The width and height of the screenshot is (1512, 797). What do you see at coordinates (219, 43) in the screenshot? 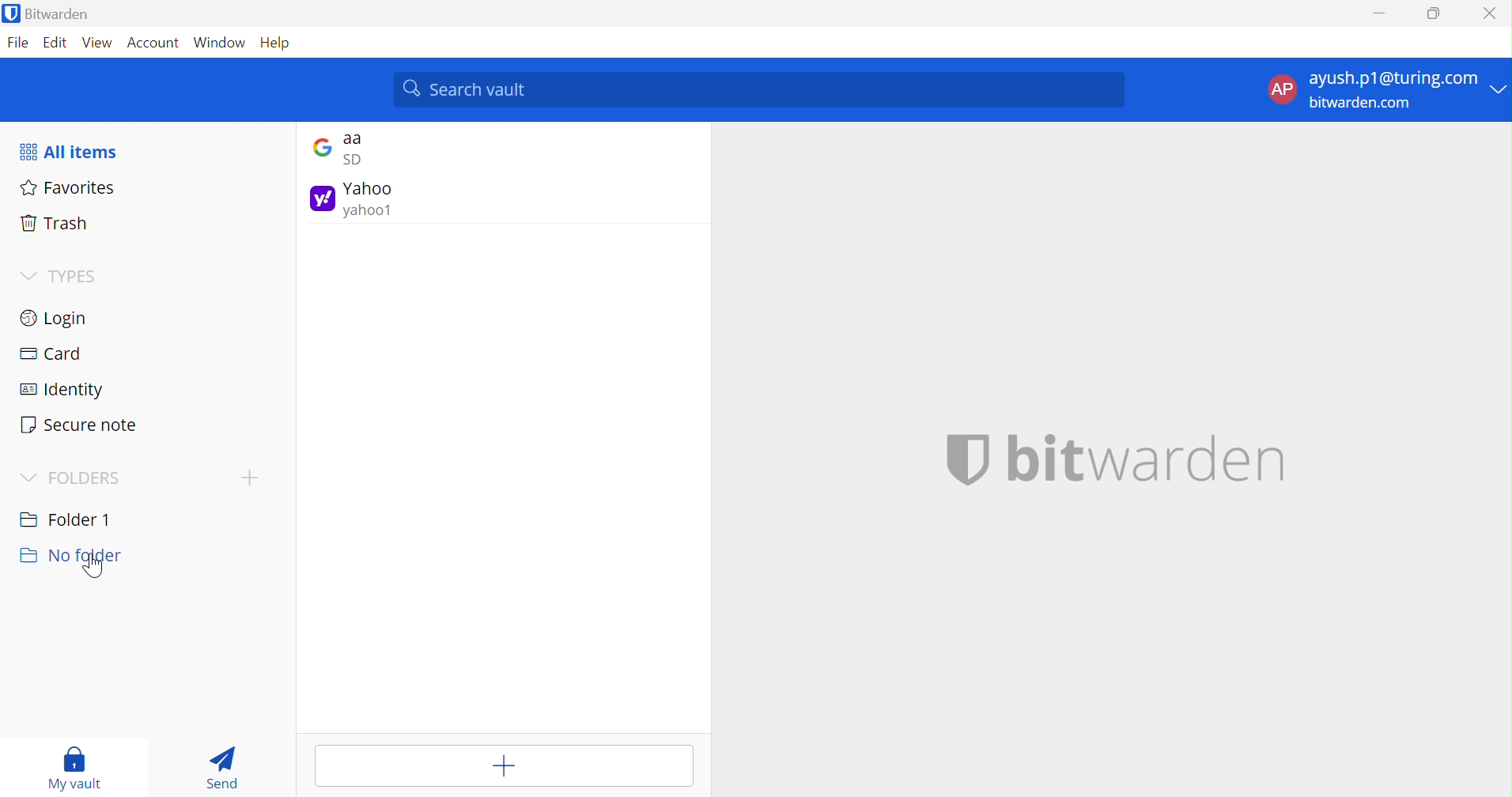
I see `Window` at bounding box center [219, 43].